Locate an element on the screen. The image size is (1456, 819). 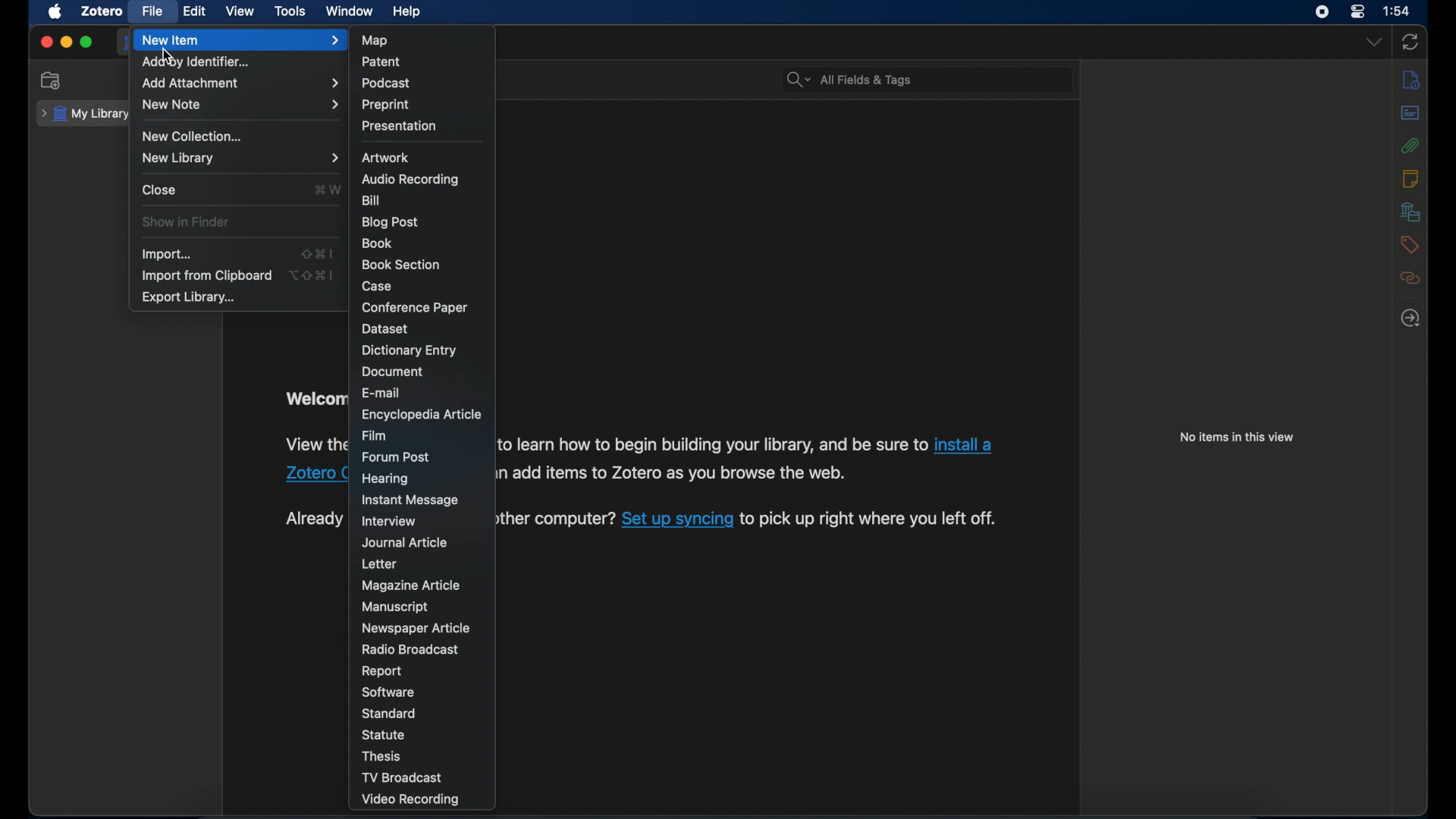
cursor is located at coordinates (167, 55).